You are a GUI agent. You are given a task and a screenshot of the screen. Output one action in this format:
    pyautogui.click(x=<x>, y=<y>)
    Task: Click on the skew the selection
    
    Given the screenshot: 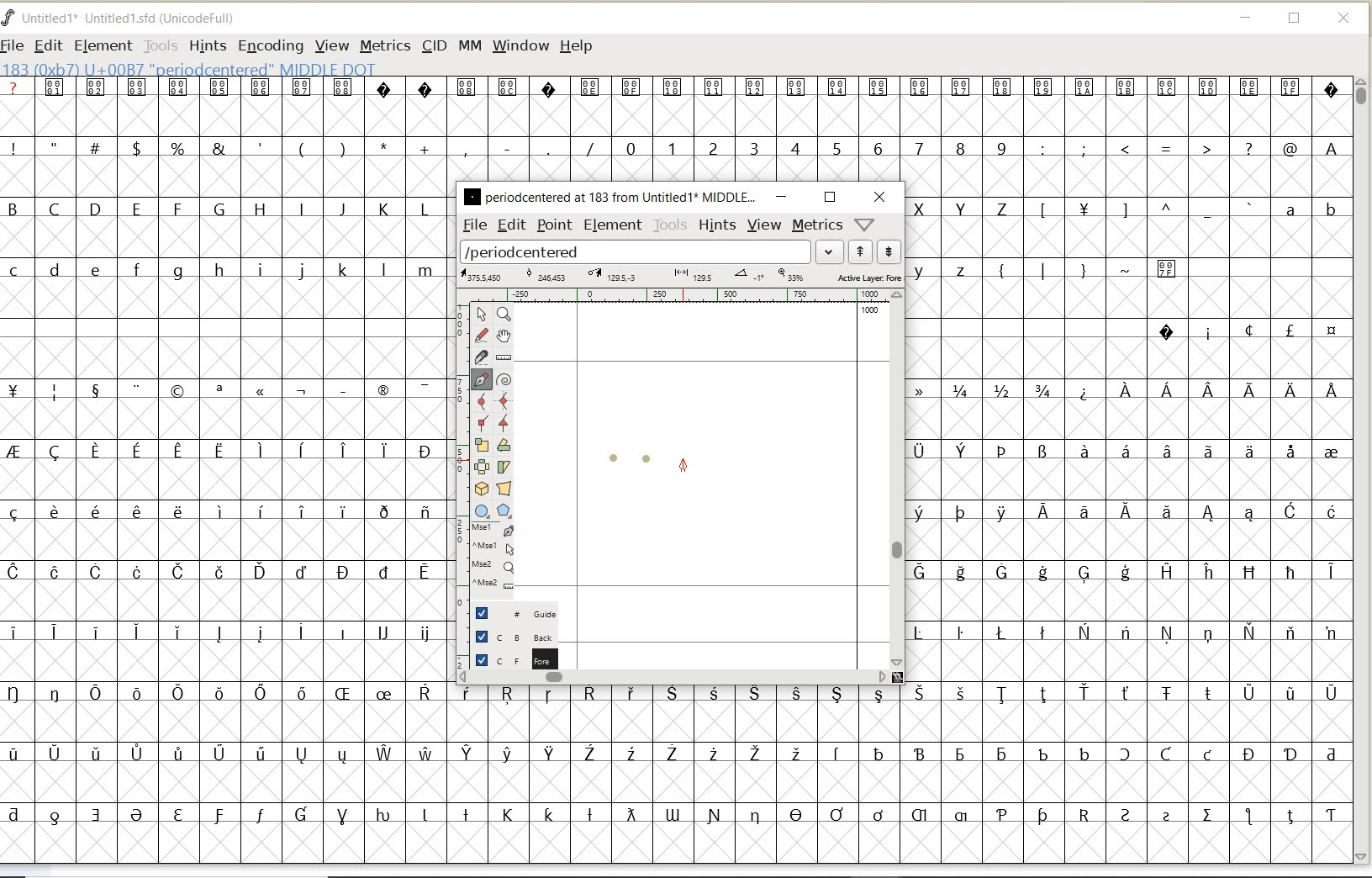 What is the action you would take?
    pyautogui.click(x=504, y=465)
    